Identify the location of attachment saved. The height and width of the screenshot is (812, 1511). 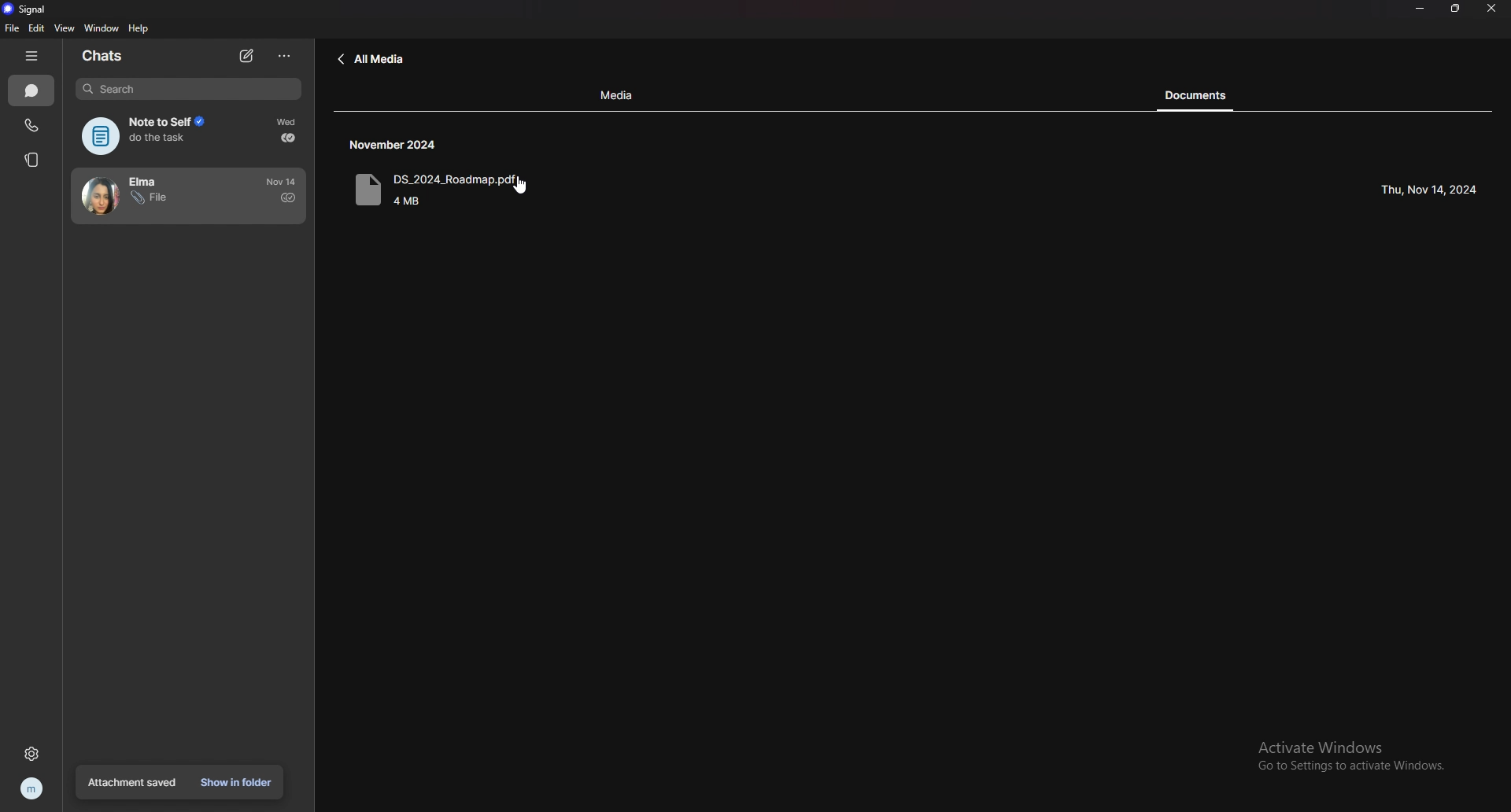
(136, 781).